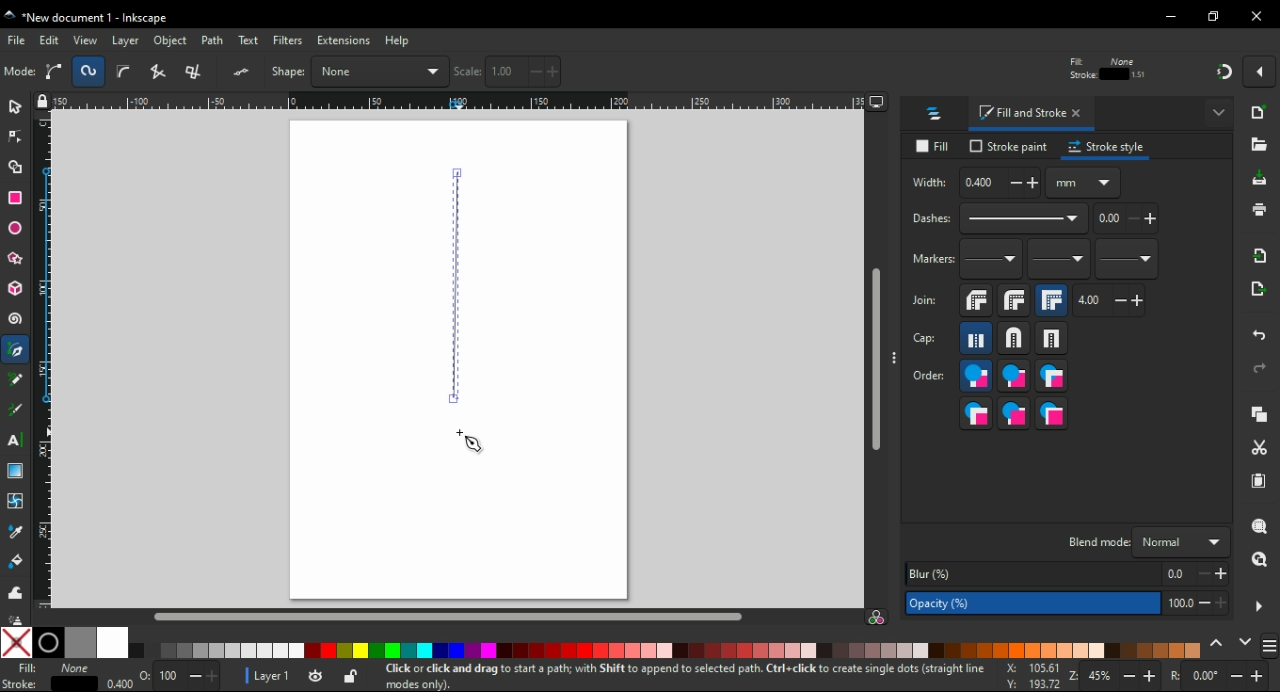 The image size is (1280, 692). I want to click on butt, so click(977, 338).